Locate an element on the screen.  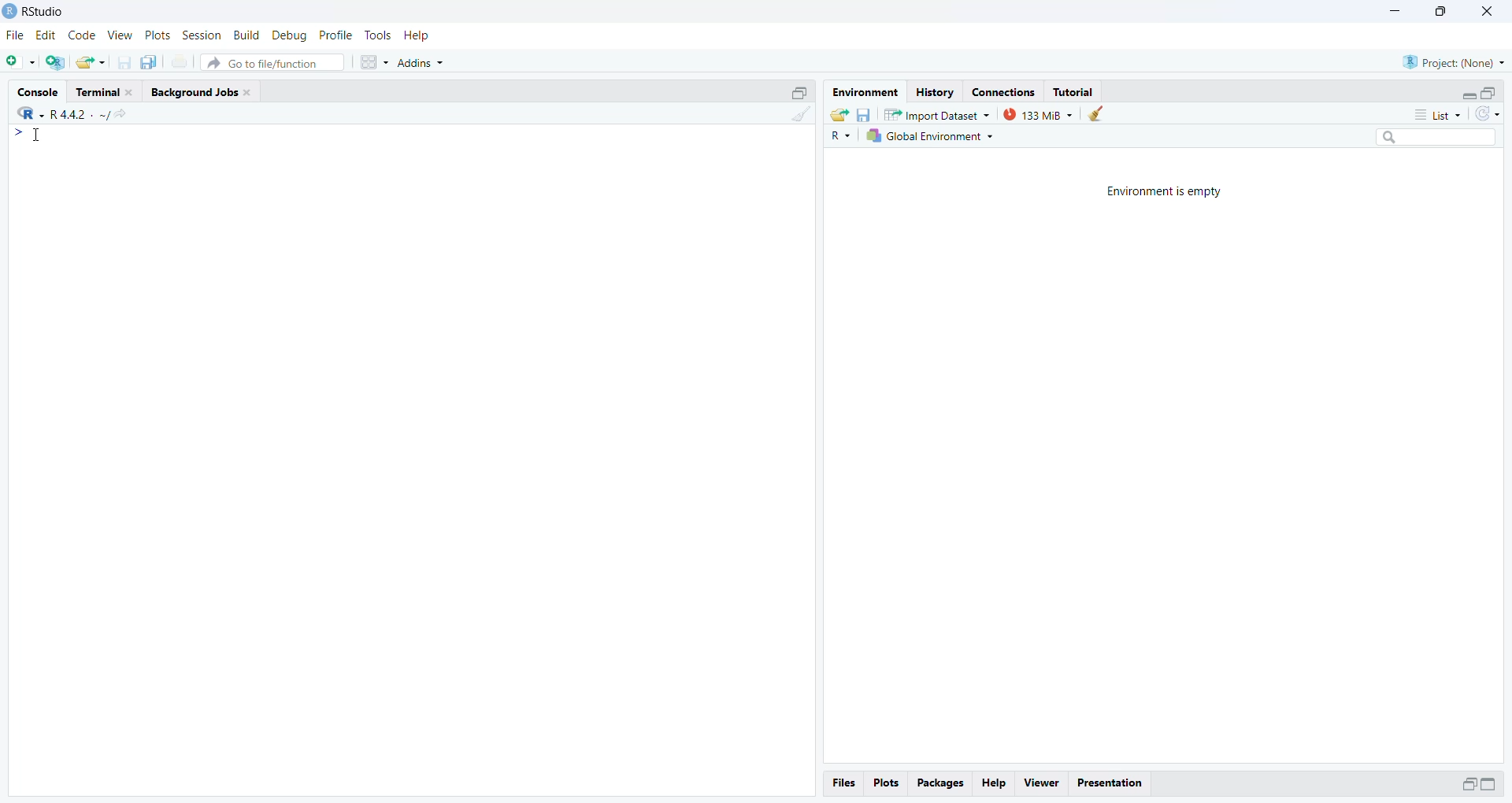
List is located at coordinates (1437, 116).